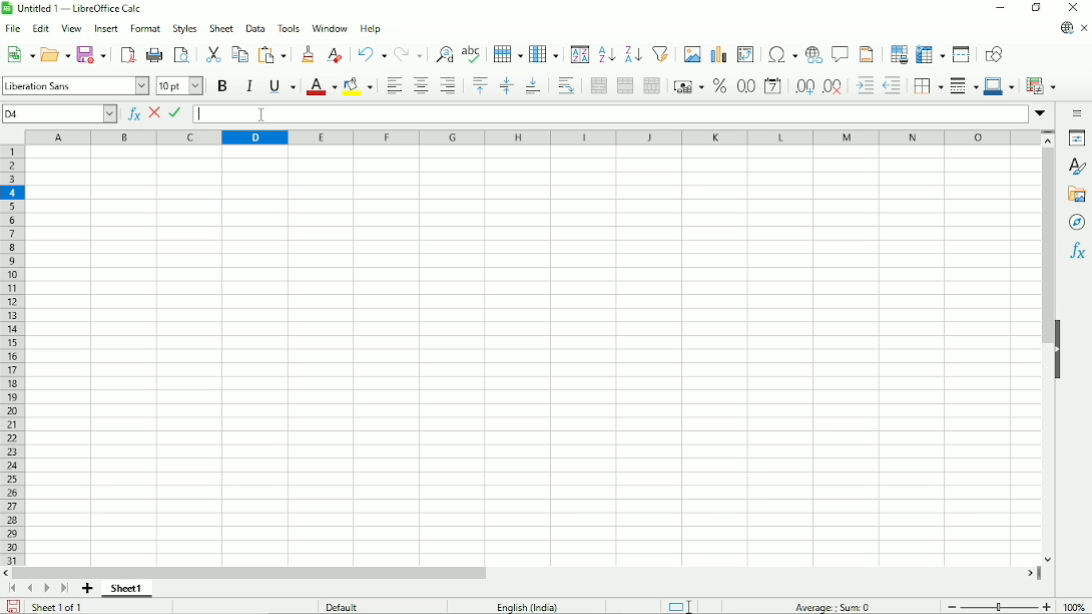  I want to click on Sheet 1, so click(127, 590).